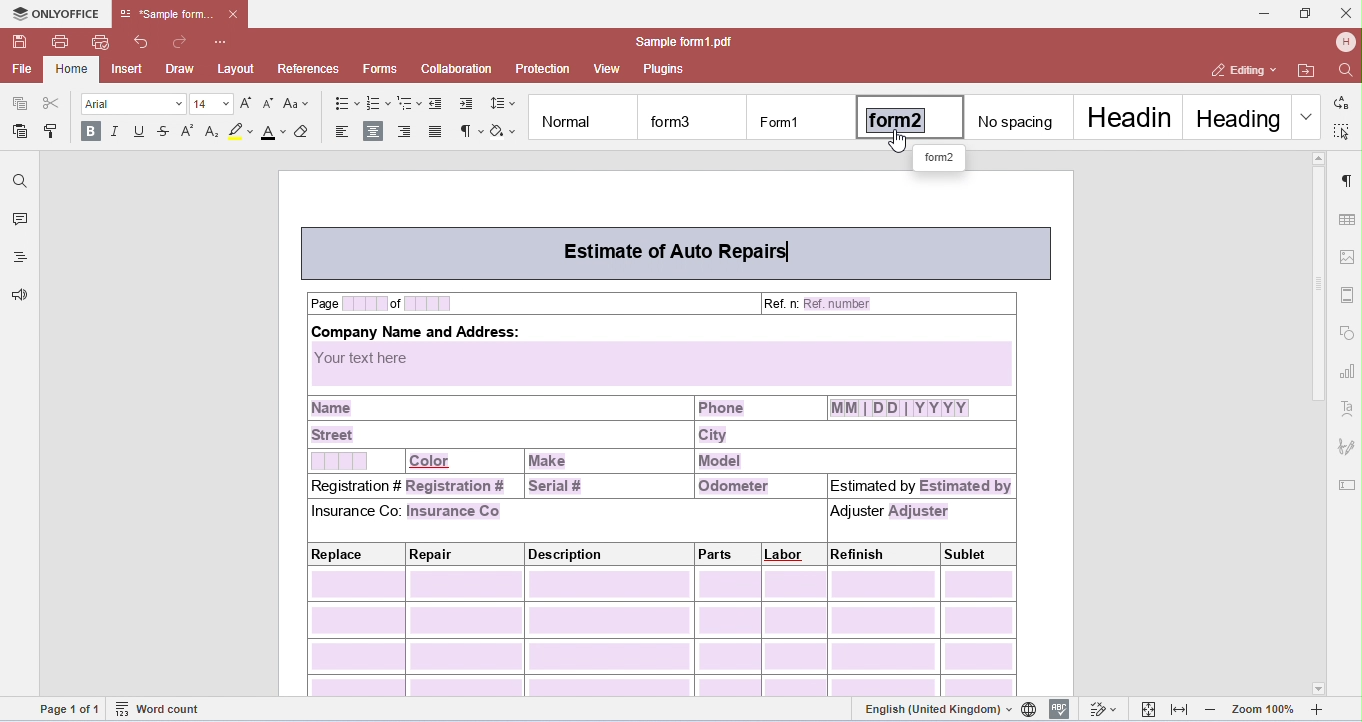 The width and height of the screenshot is (1362, 722). What do you see at coordinates (167, 14) in the screenshot?
I see `tab name` at bounding box center [167, 14].